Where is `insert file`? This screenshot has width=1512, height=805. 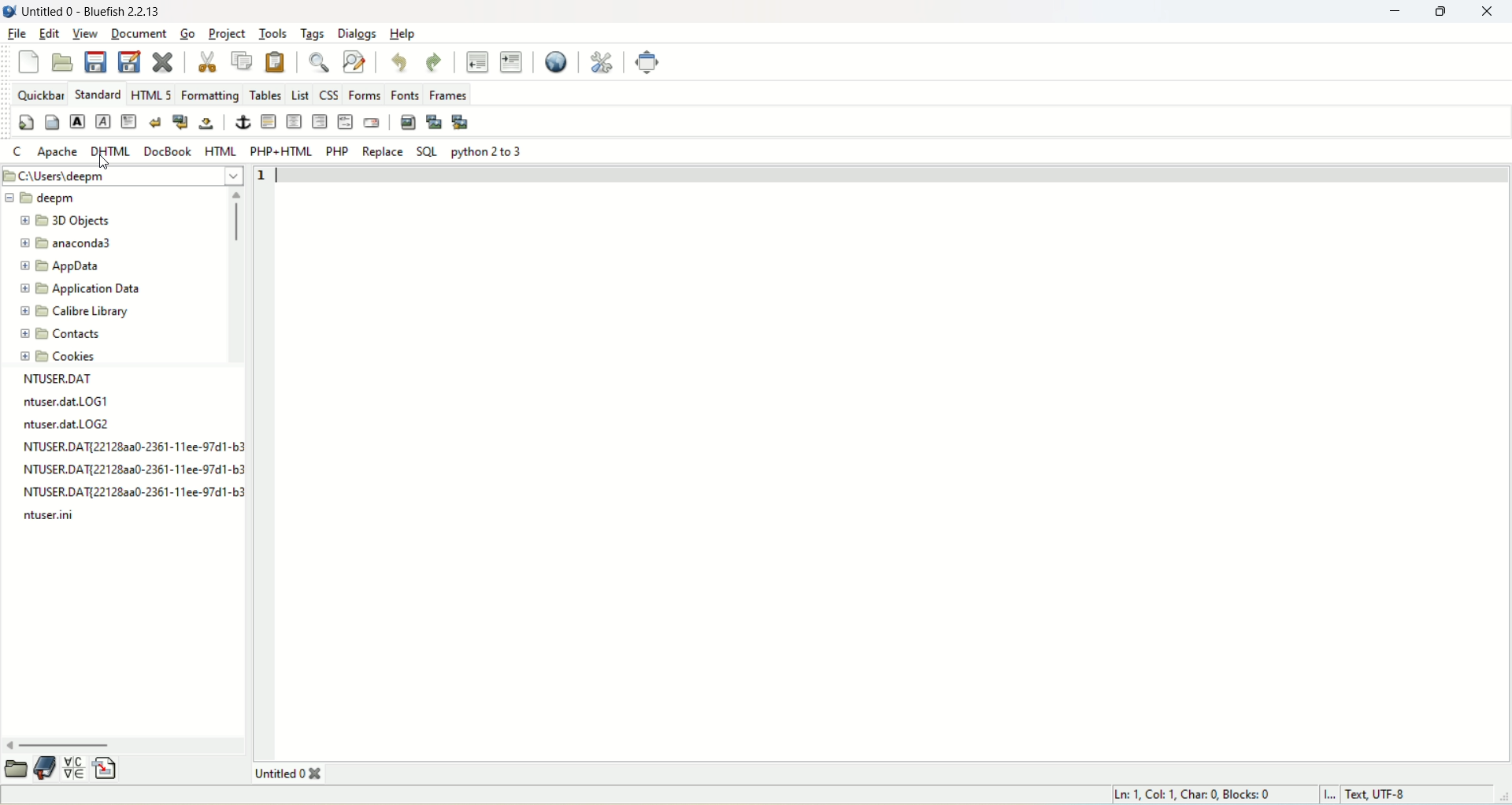
insert file is located at coordinates (106, 769).